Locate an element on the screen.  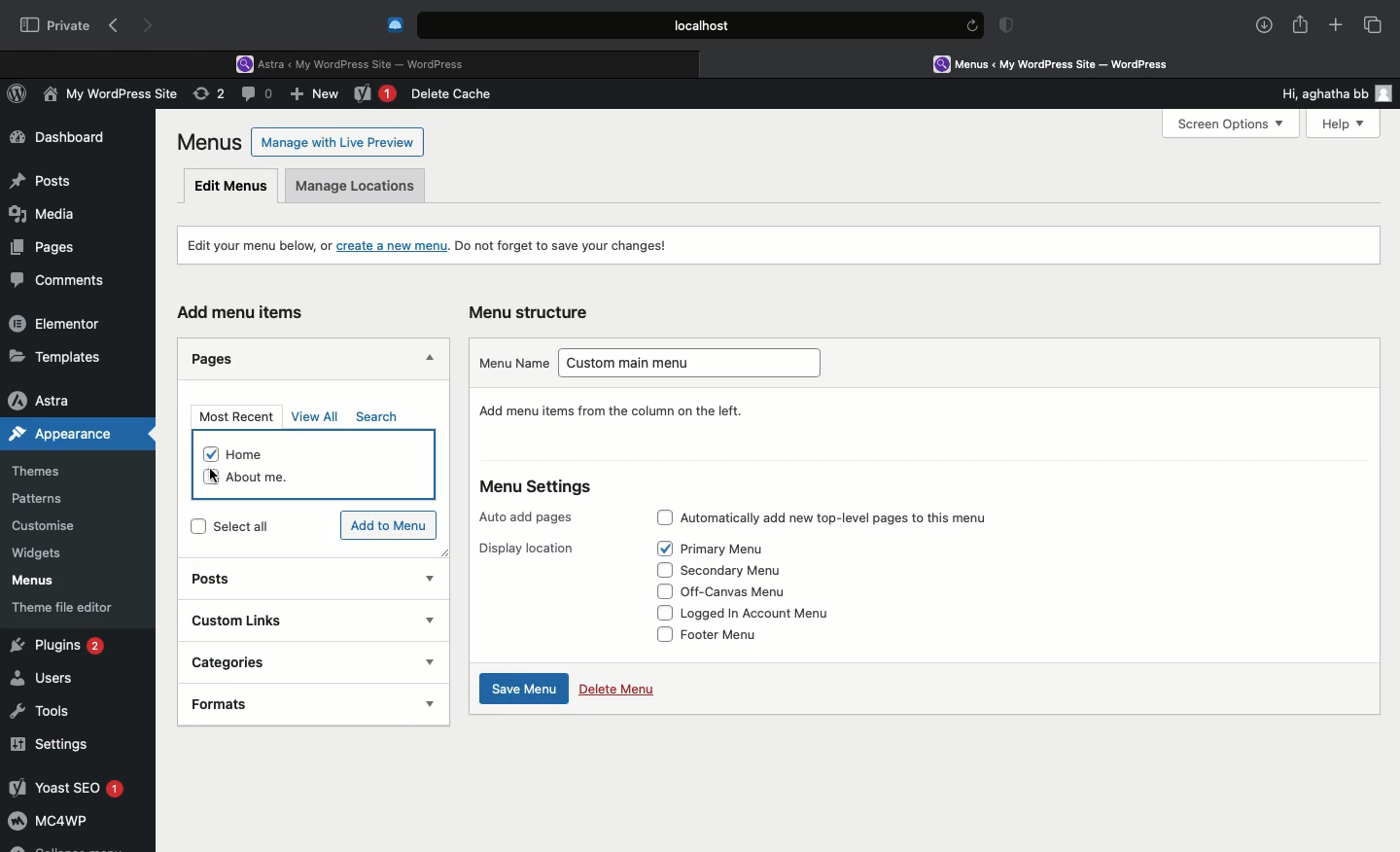
Display location is located at coordinates (533, 547).